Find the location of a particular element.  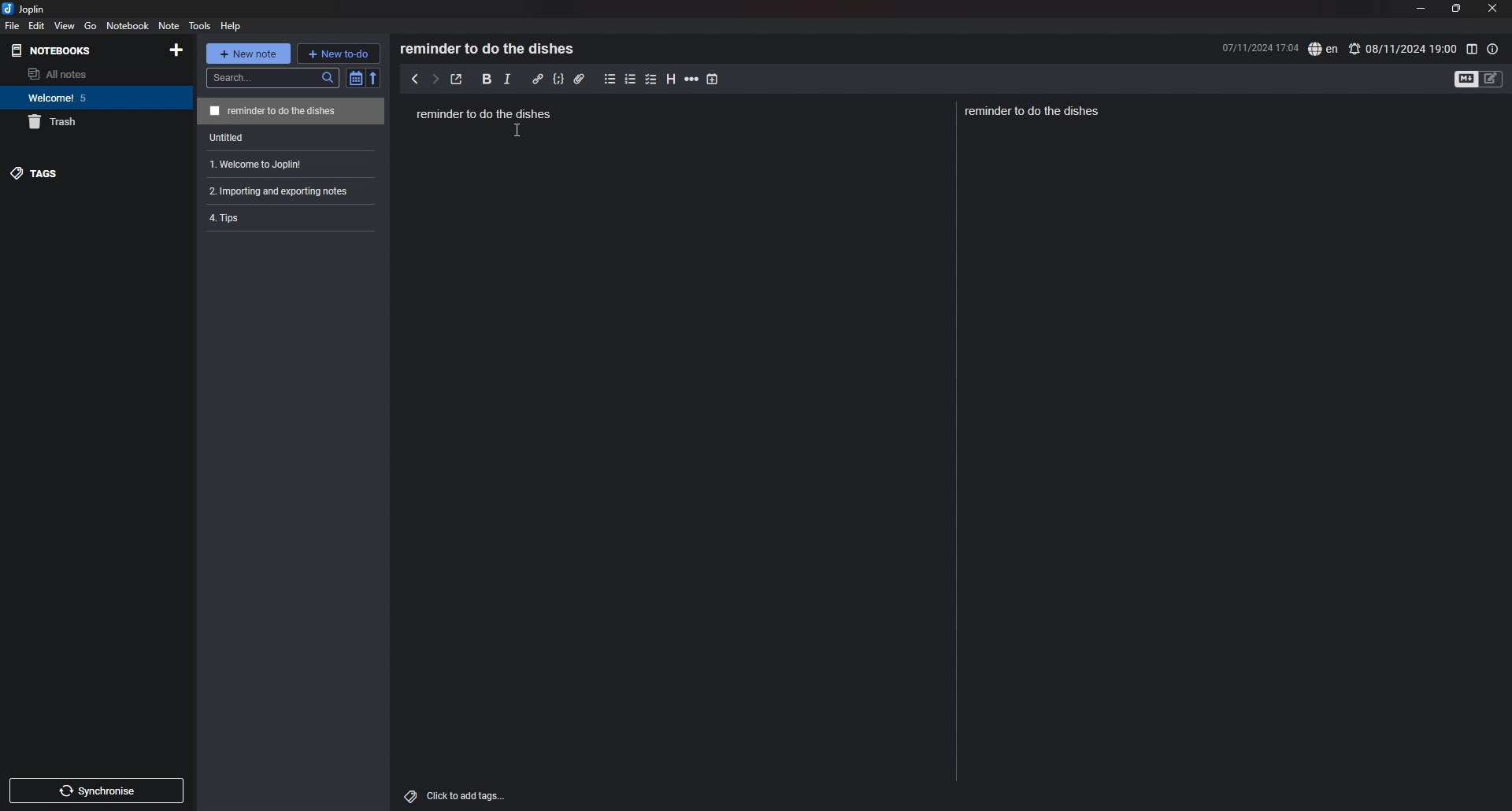

toggle editor layout is located at coordinates (1472, 49).